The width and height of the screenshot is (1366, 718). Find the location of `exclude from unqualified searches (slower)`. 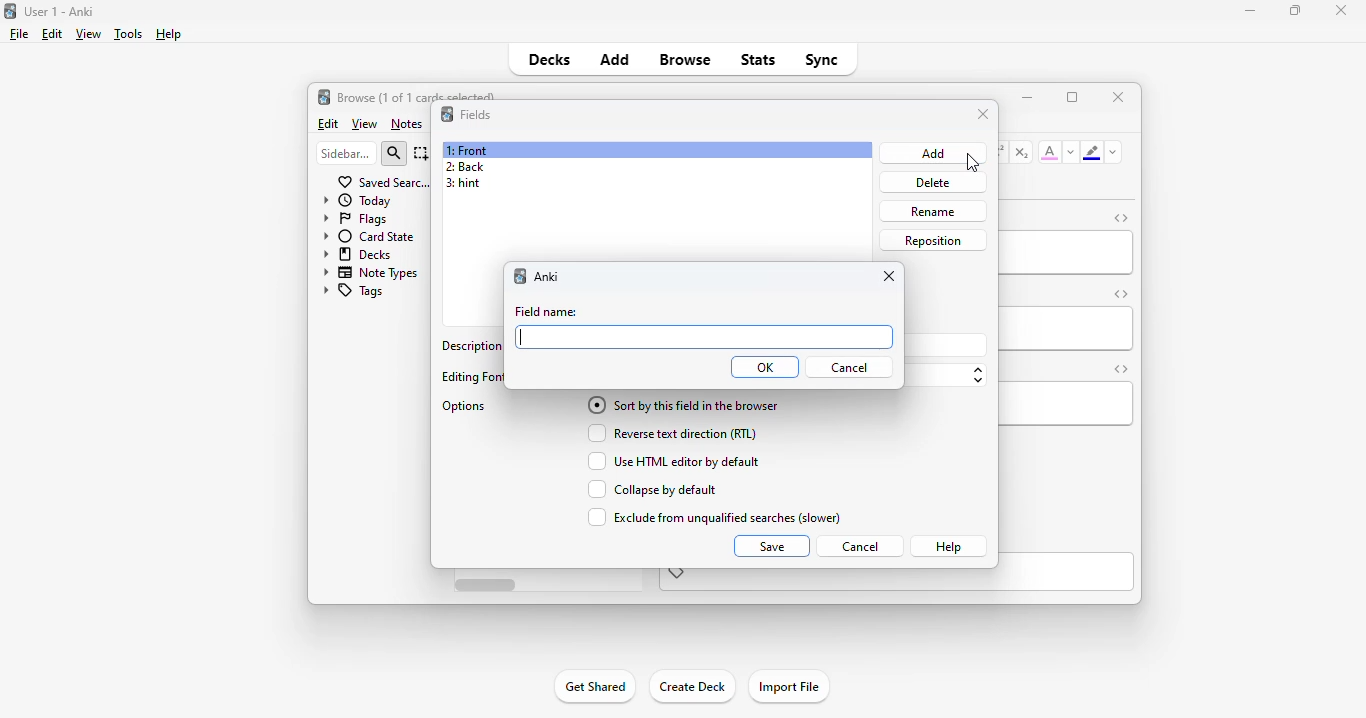

exclude from unqualified searches (slower) is located at coordinates (712, 517).